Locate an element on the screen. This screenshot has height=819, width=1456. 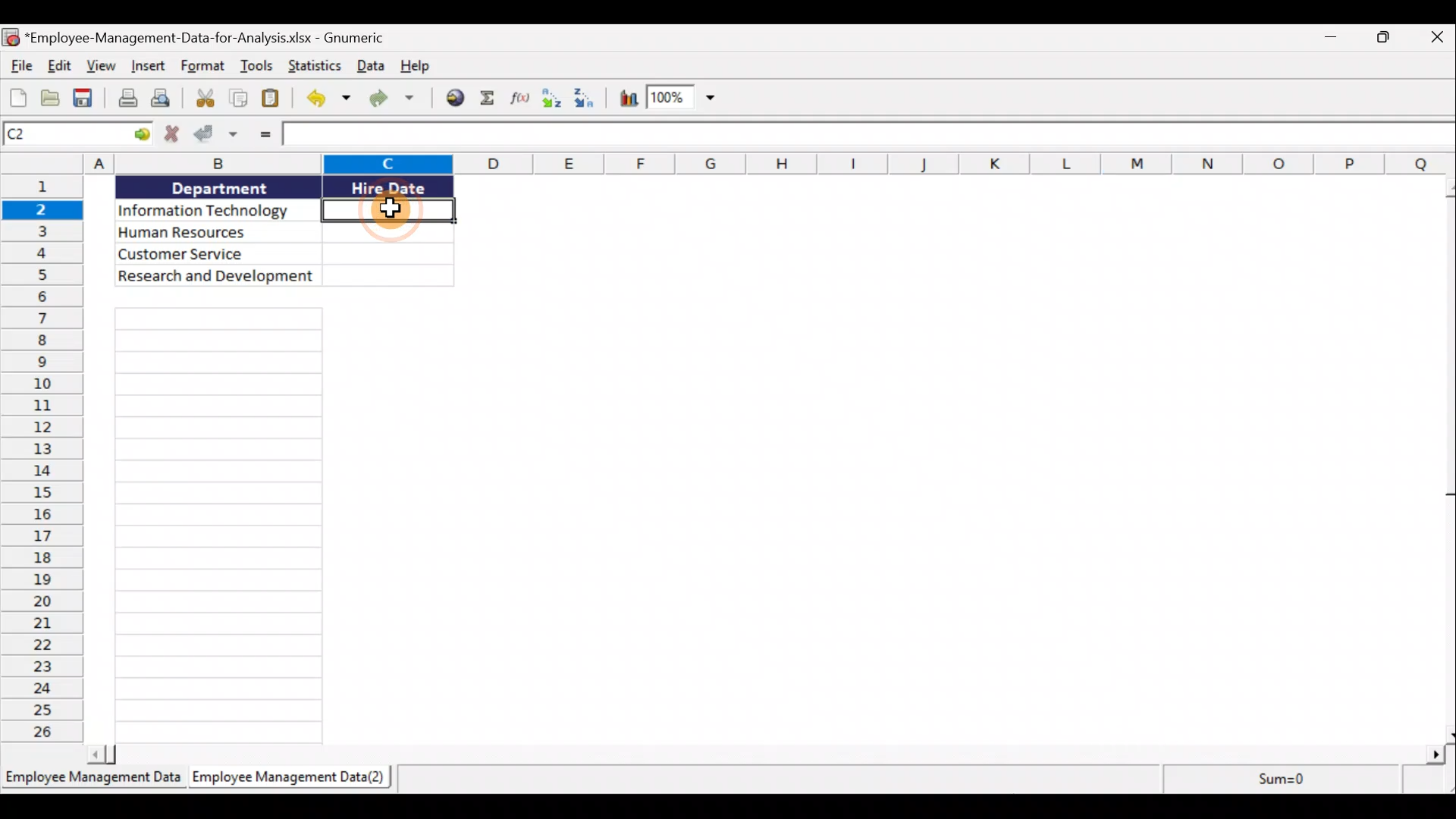
Zoom is located at coordinates (684, 99).